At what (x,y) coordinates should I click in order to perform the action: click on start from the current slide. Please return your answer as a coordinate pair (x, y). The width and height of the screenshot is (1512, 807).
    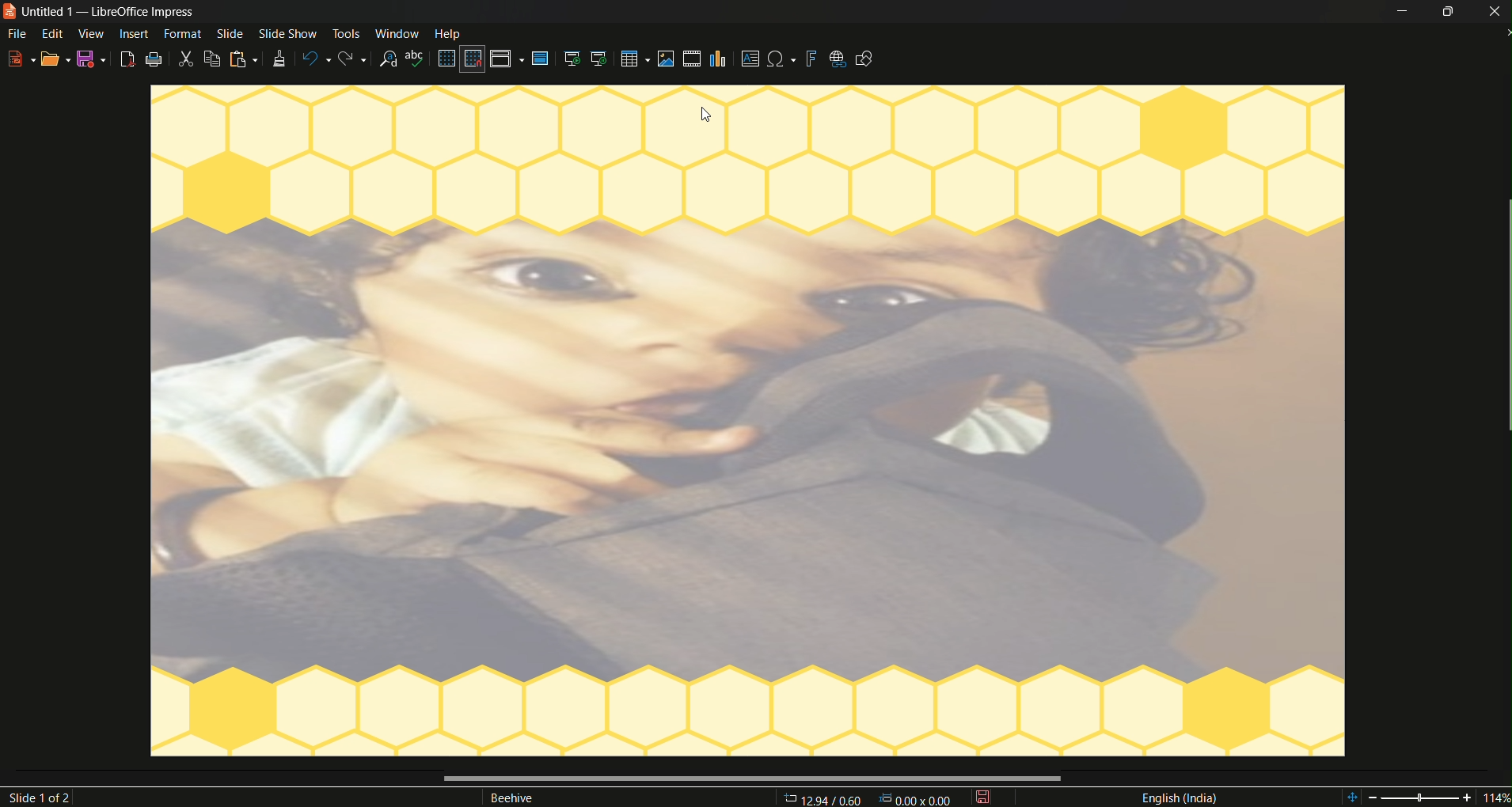
    Looking at the image, I should click on (602, 59).